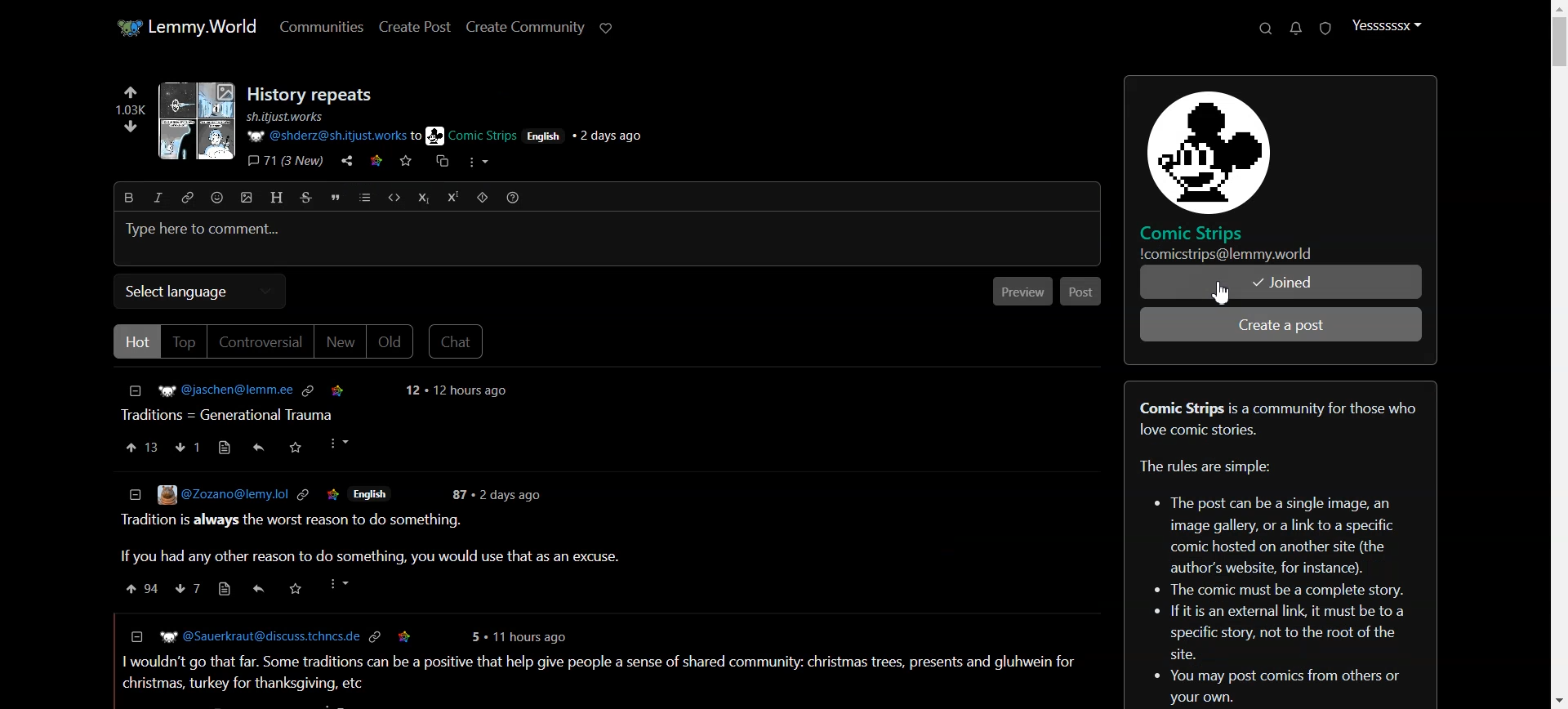 This screenshot has width=1568, height=709. I want to click on Controversial, so click(260, 342).